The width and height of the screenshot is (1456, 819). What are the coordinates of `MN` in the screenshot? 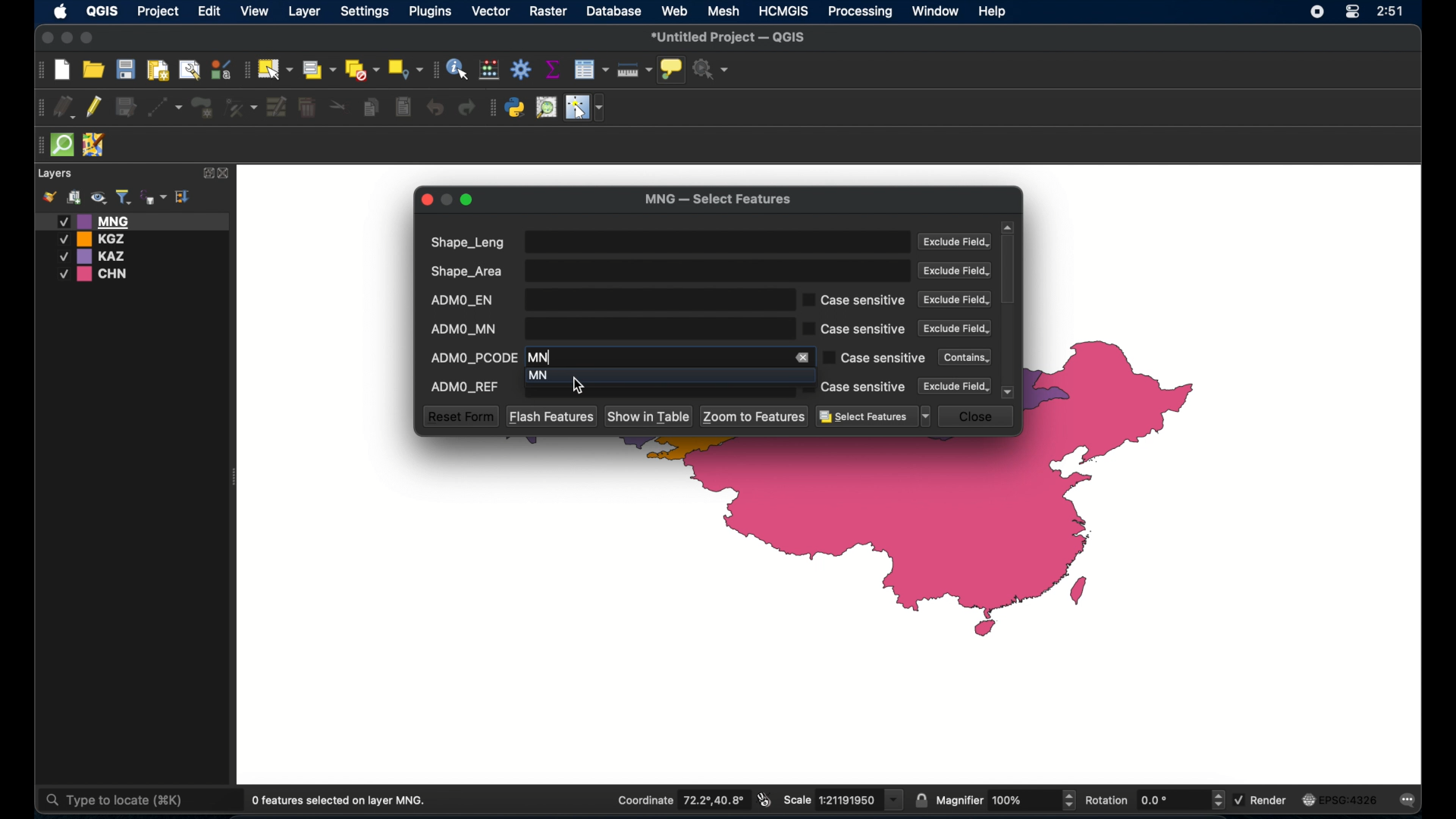 It's located at (650, 374).